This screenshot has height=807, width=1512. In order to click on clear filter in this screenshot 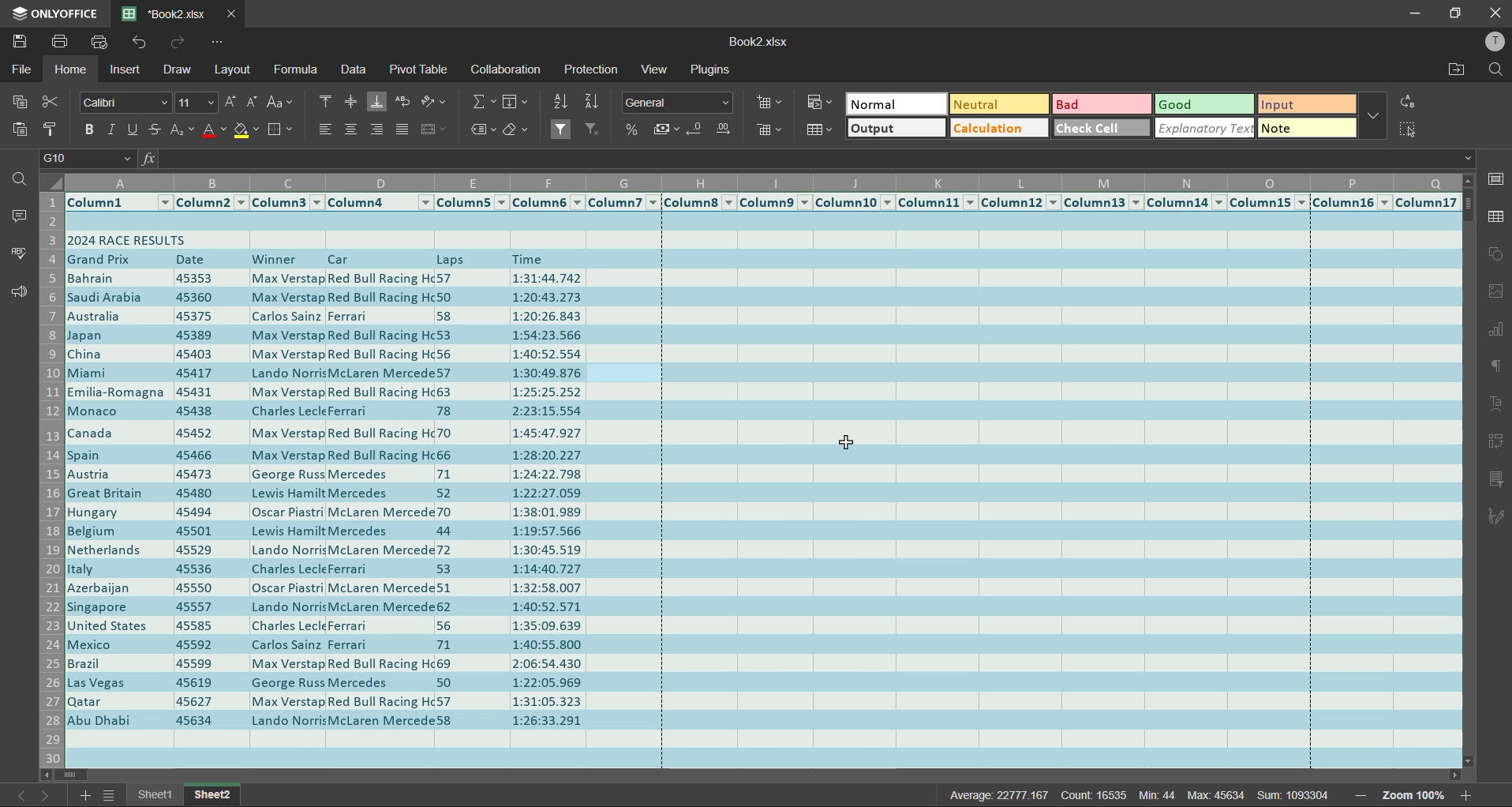, I will do `click(593, 128)`.